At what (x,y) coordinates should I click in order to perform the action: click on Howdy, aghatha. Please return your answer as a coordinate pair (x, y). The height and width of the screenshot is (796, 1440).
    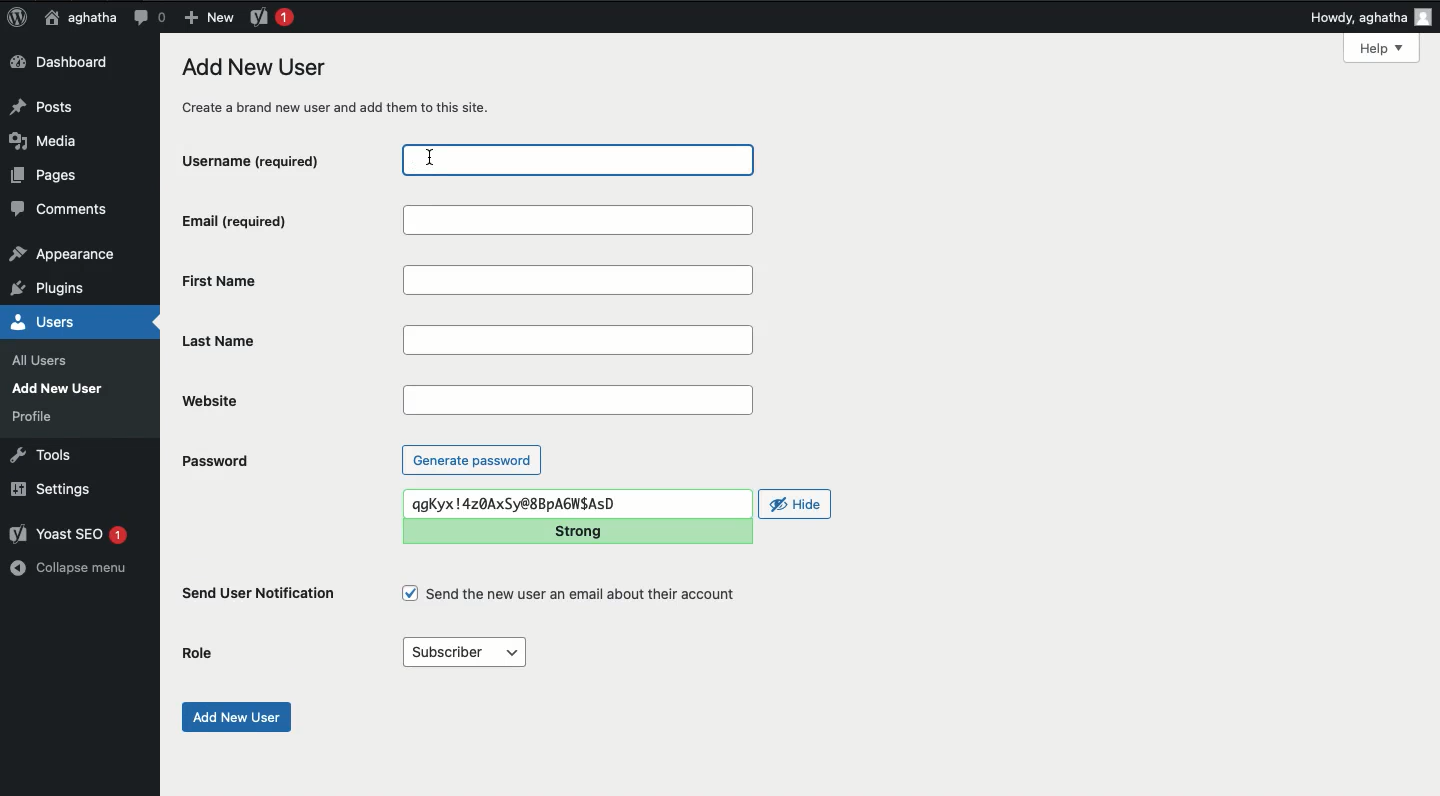
    Looking at the image, I should click on (1371, 17).